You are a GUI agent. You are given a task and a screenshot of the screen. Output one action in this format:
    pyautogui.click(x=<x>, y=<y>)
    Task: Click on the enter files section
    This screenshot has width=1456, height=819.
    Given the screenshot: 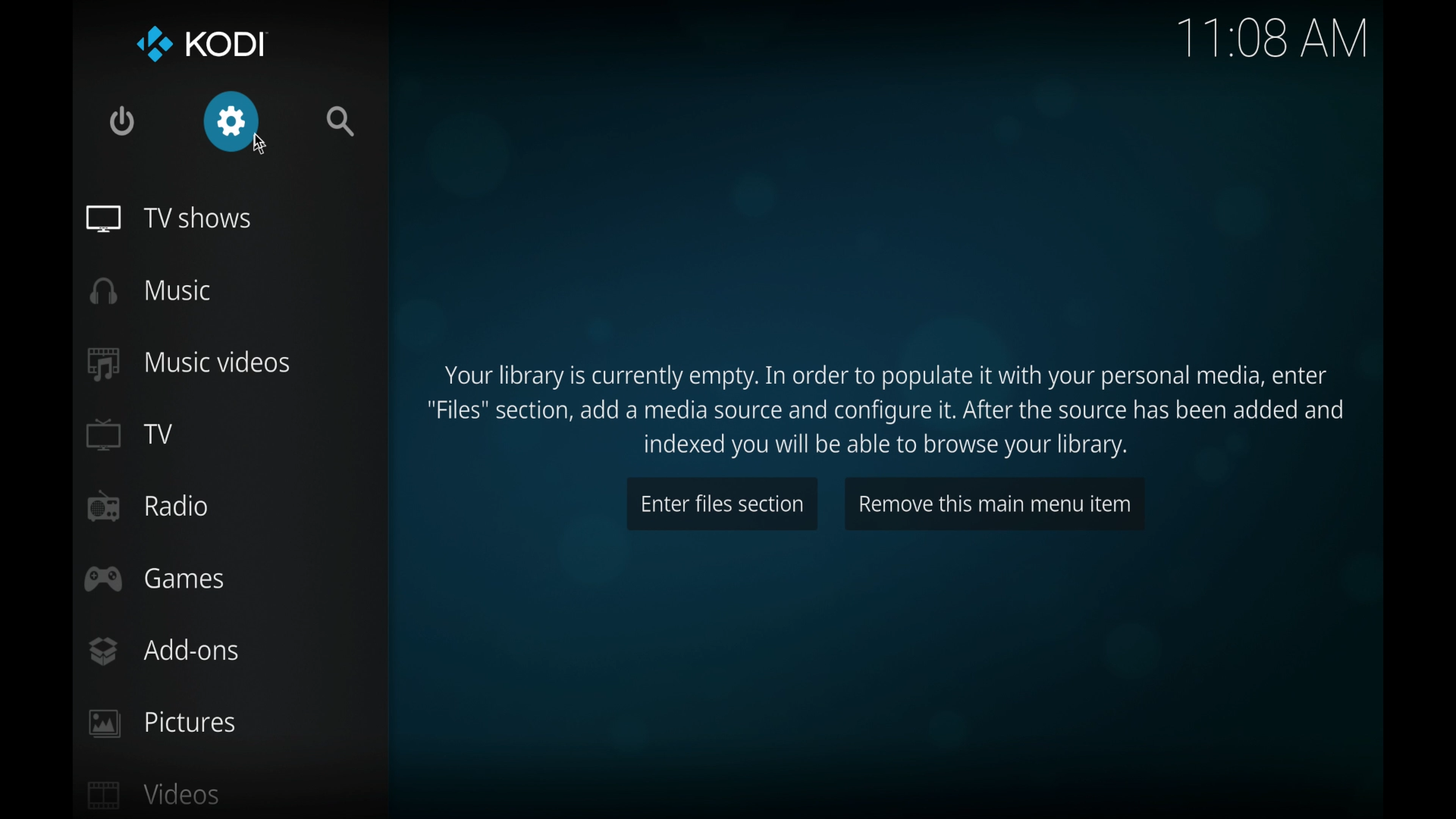 What is the action you would take?
    pyautogui.click(x=723, y=504)
    